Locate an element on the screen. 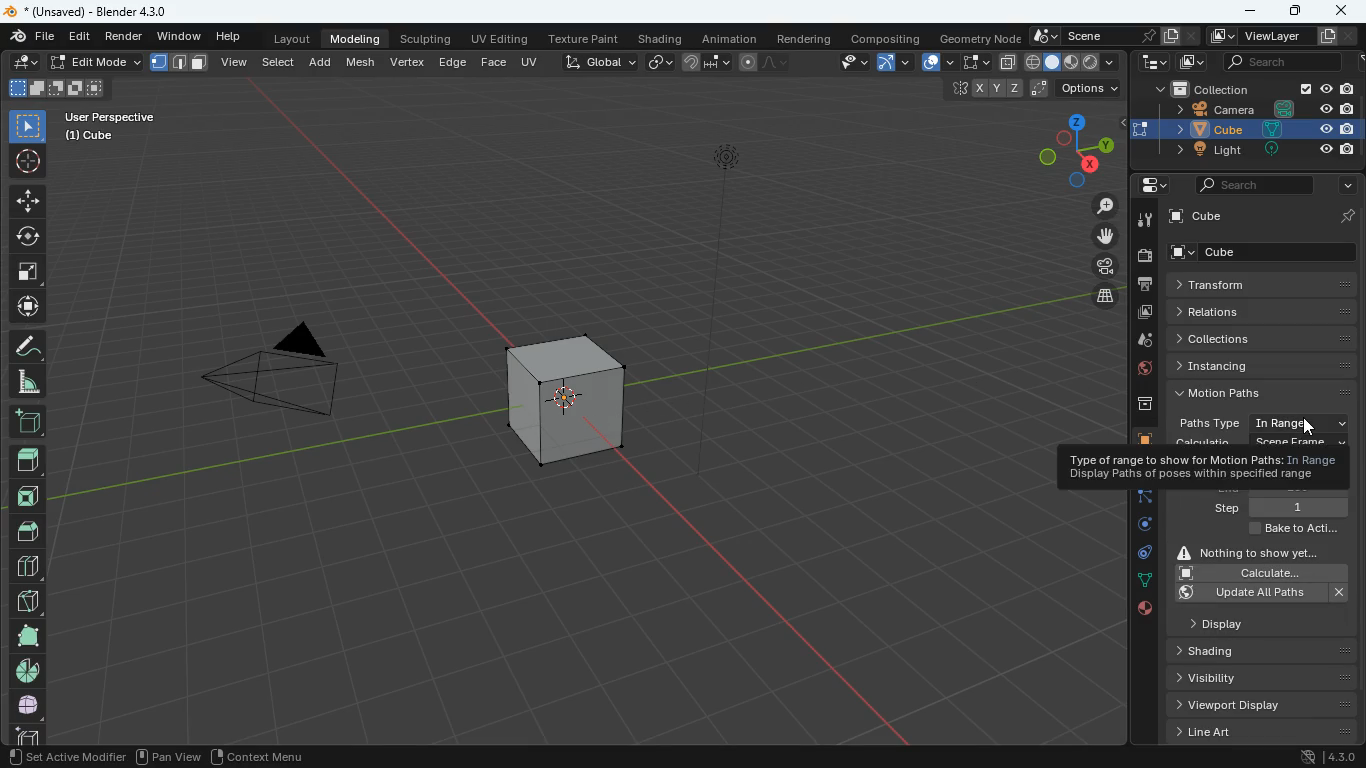 The height and width of the screenshot is (768, 1366). edge is located at coordinates (452, 61).